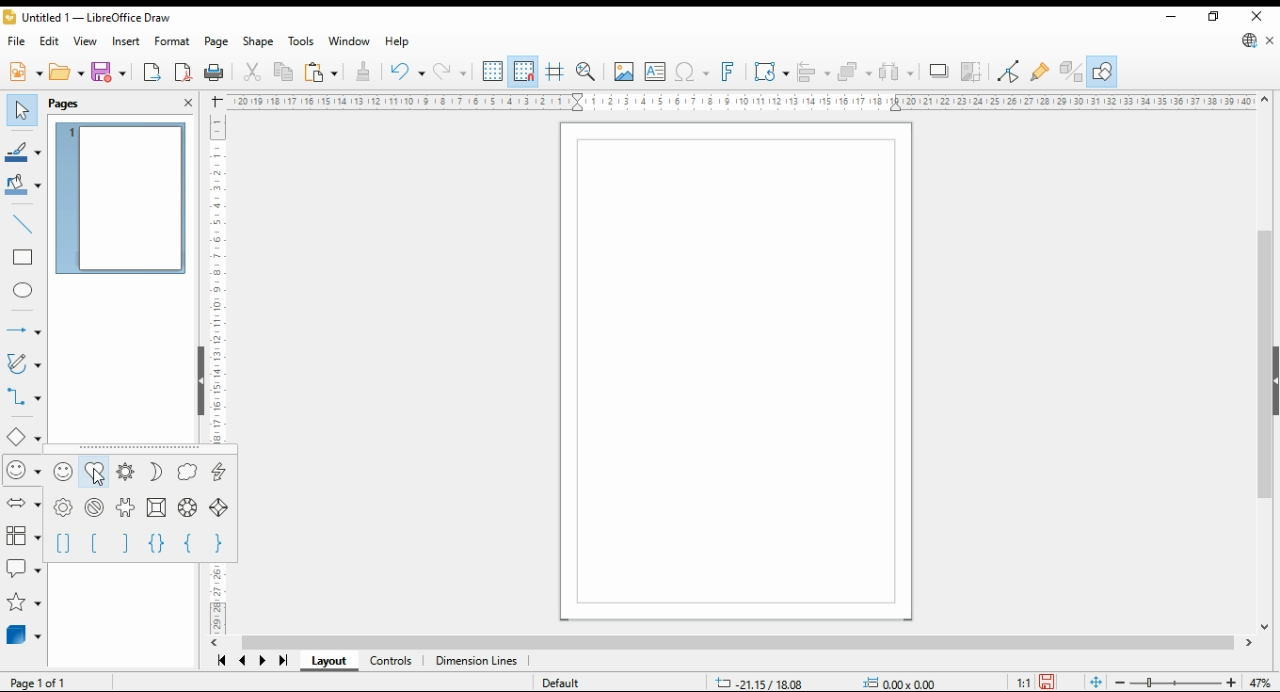  I want to click on heart, so click(94, 471).